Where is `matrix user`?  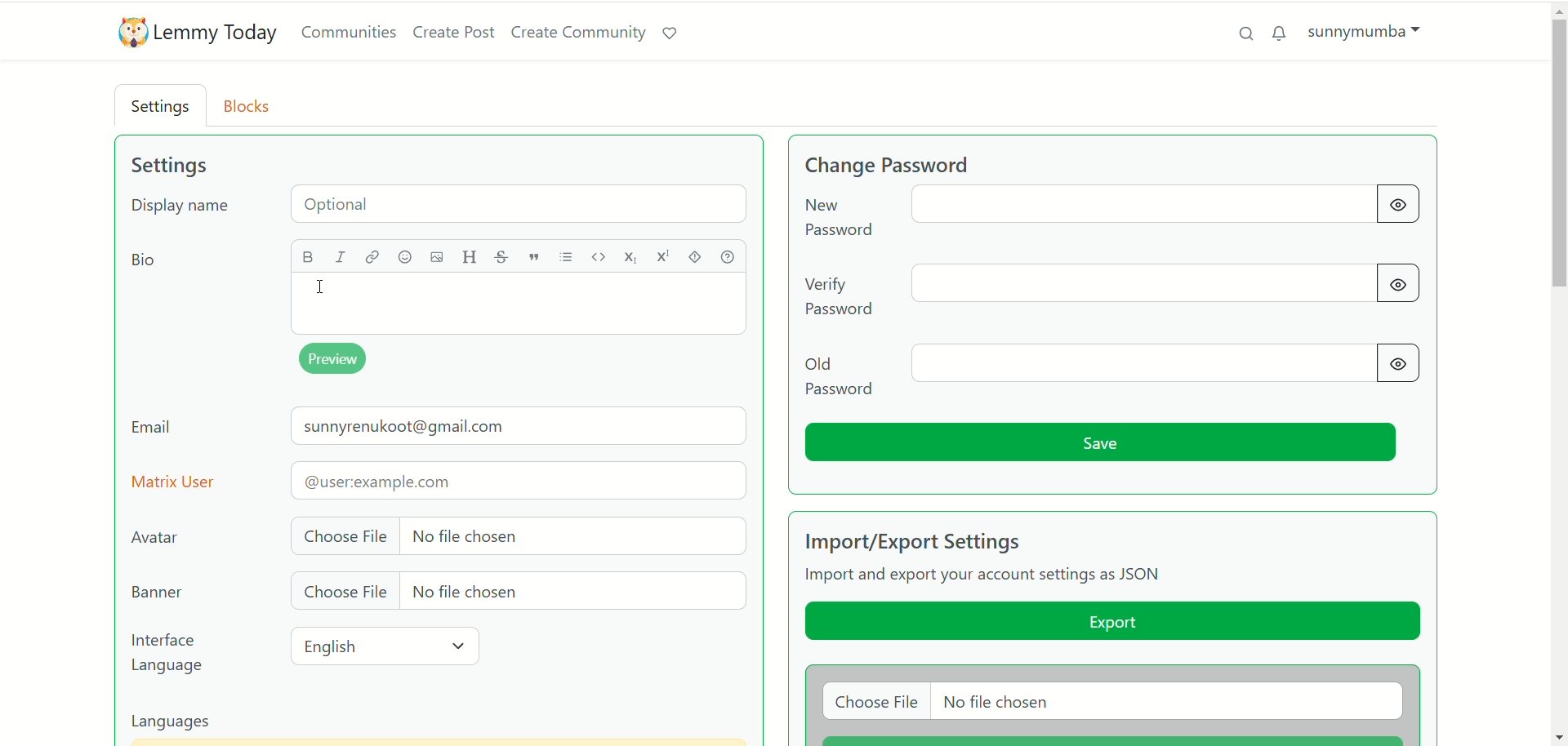 matrix user is located at coordinates (439, 480).